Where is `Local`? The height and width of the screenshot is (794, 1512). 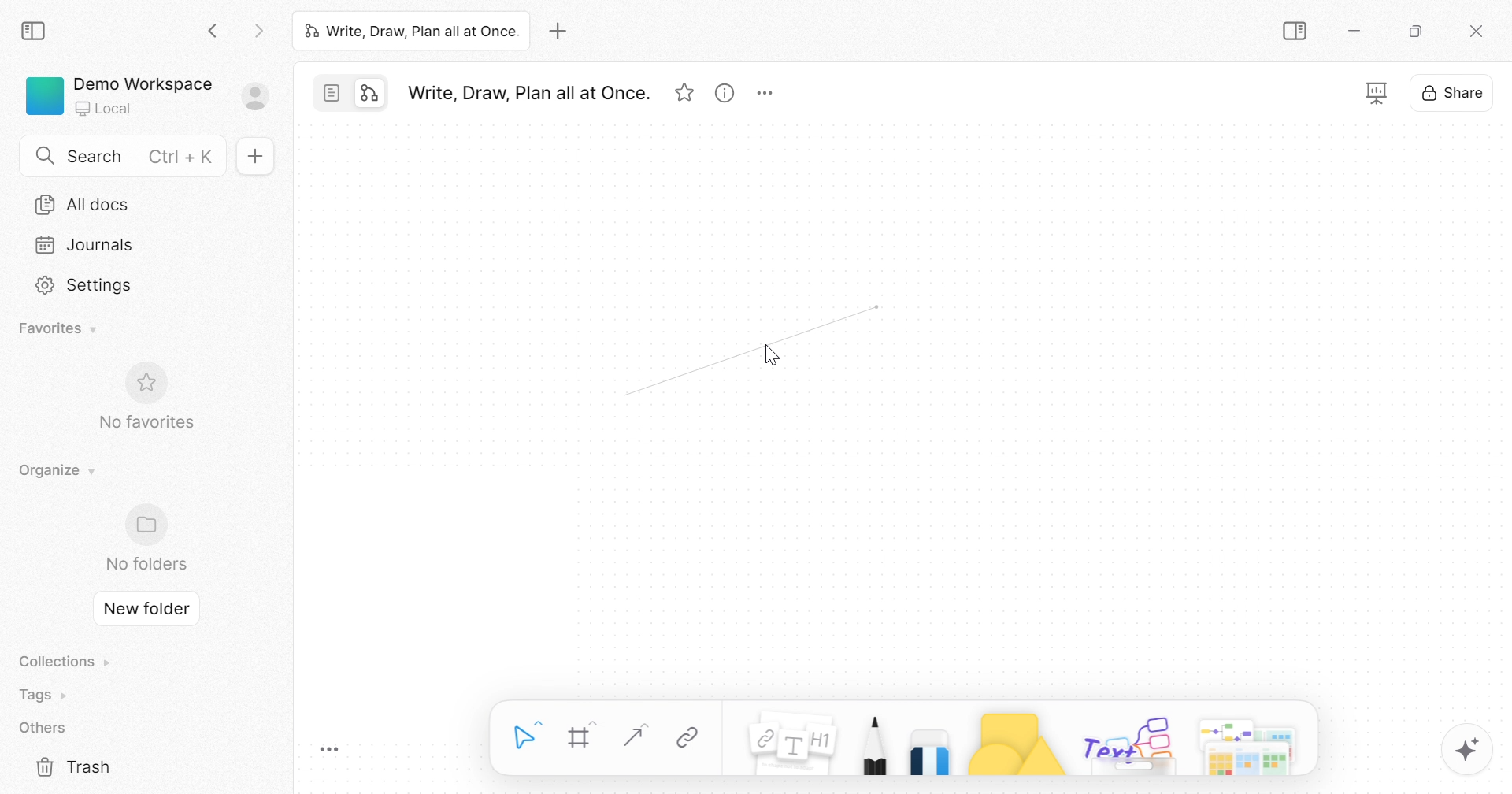
Local is located at coordinates (105, 109).